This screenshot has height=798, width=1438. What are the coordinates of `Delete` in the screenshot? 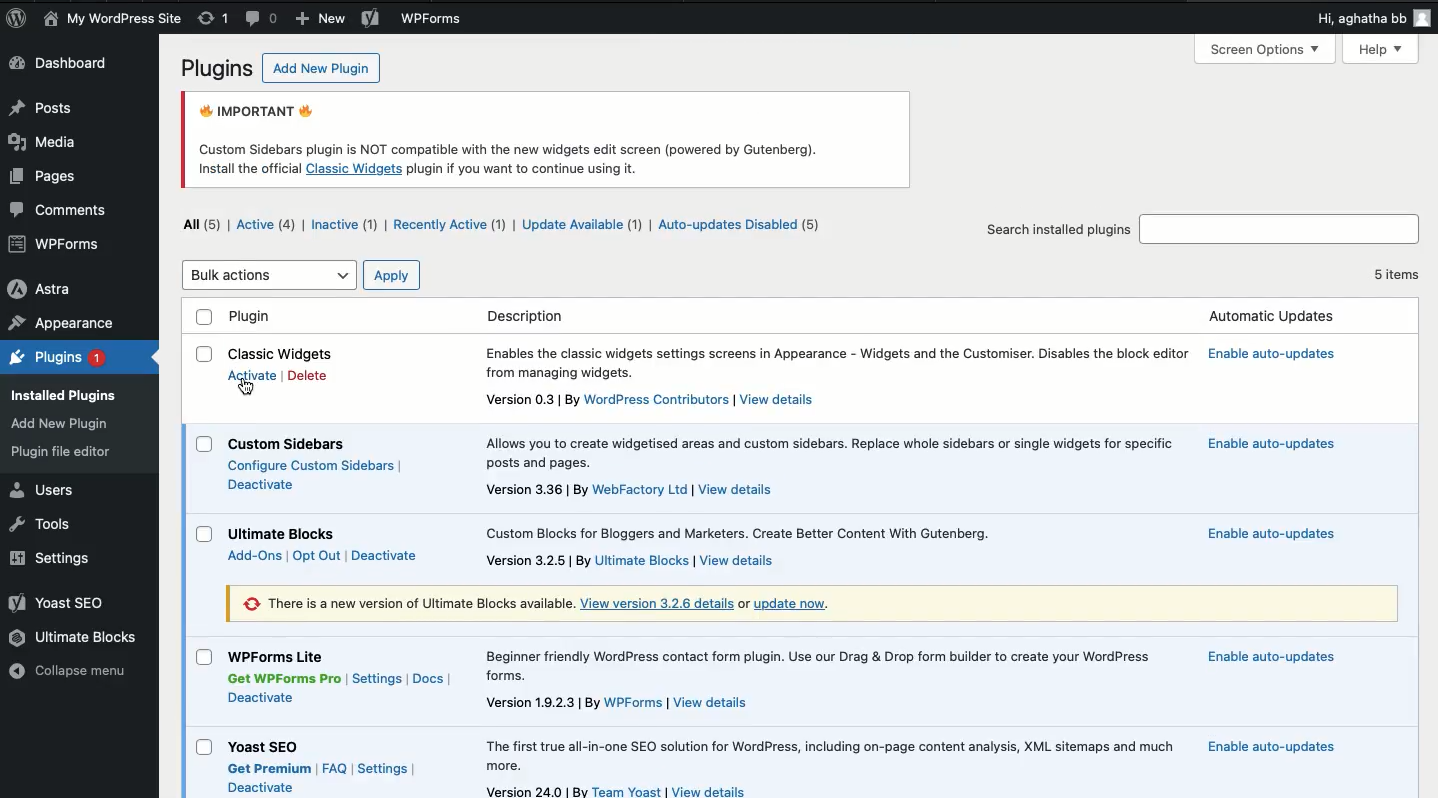 It's located at (307, 377).